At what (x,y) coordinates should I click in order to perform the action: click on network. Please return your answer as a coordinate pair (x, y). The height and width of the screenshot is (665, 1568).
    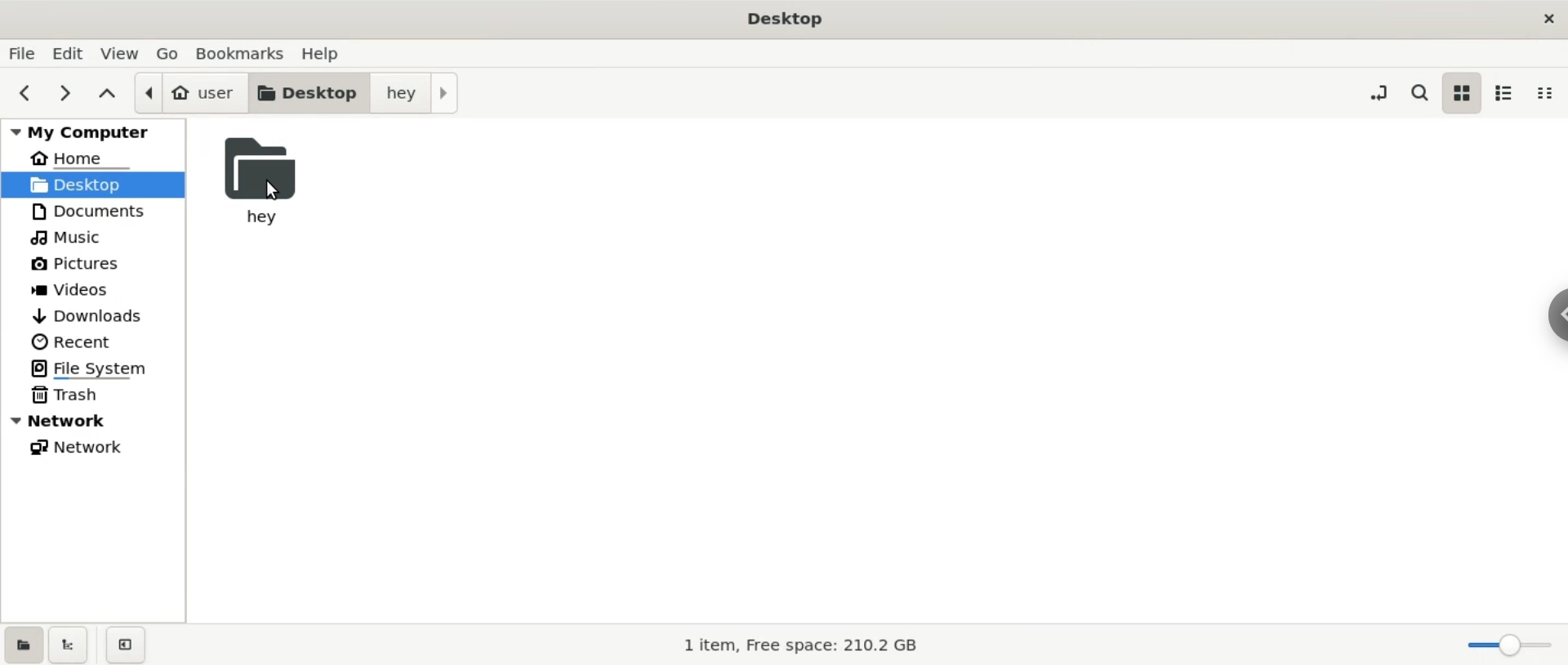
    Looking at the image, I should click on (96, 422).